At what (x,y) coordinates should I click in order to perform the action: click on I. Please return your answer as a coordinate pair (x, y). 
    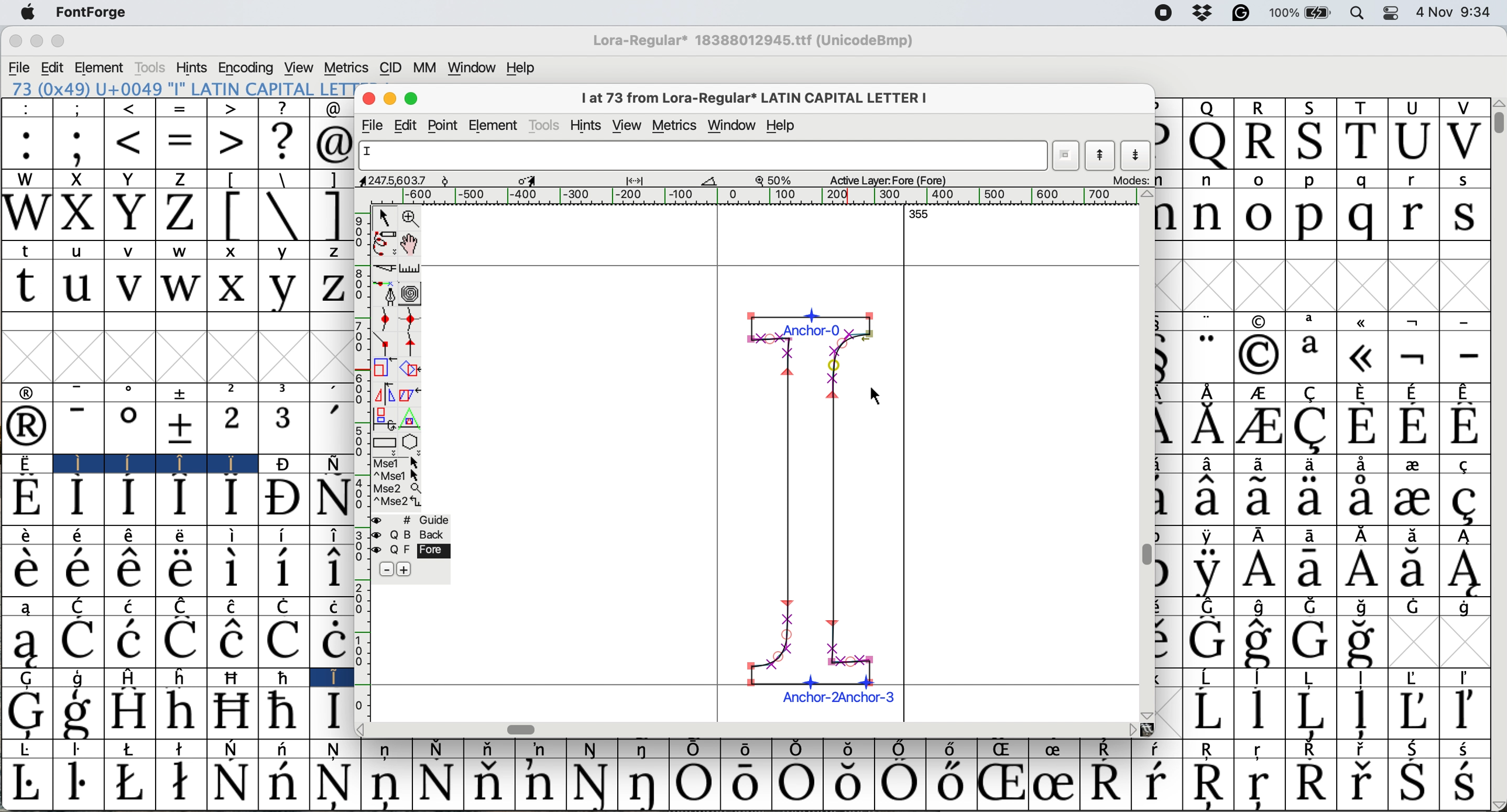
    Looking at the image, I should click on (75, 463).